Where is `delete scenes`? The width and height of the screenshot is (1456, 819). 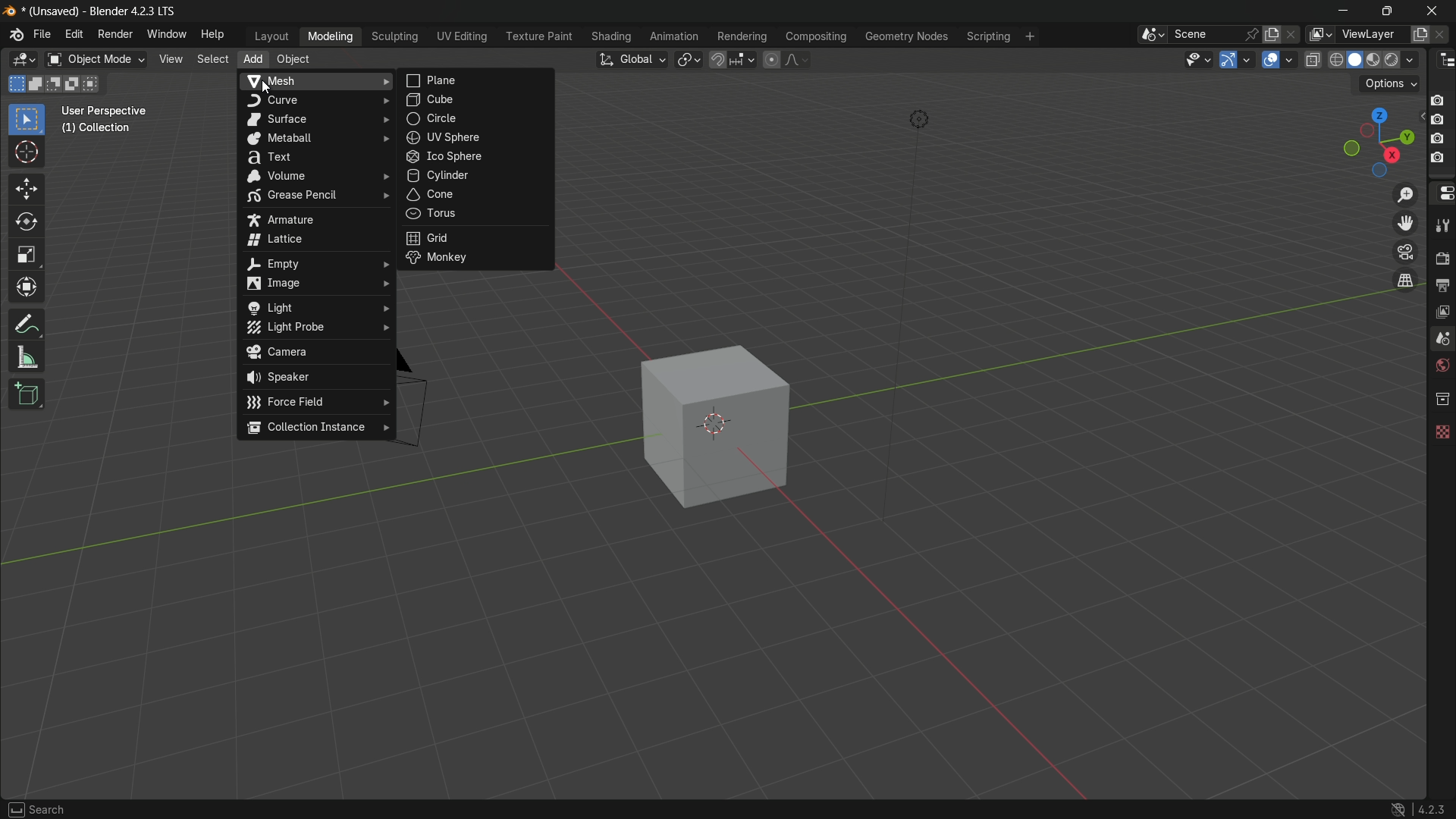
delete scenes is located at coordinates (1295, 36).